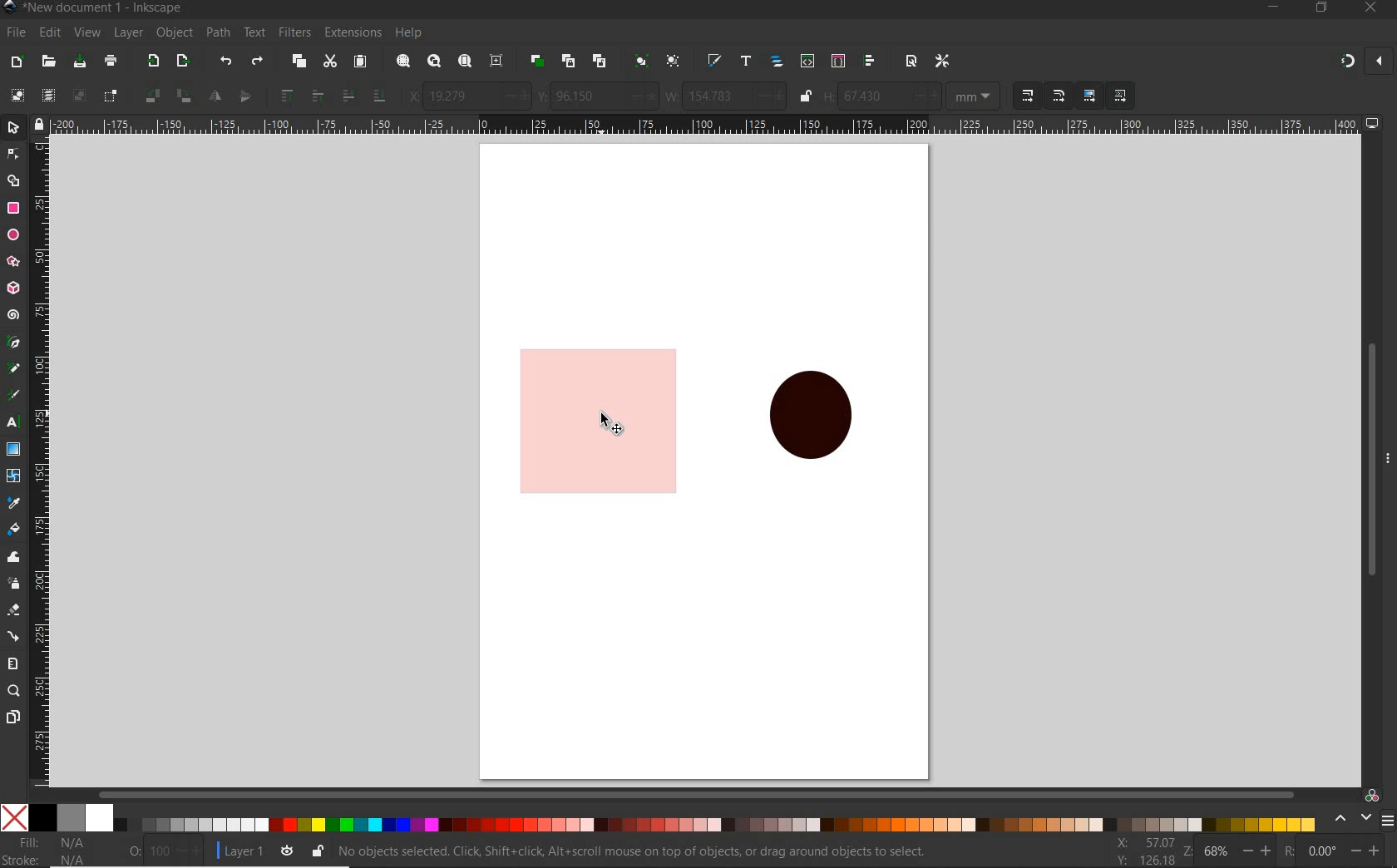 The width and height of the screenshot is (1397, 868). Describe the element at coordinates (158, 851) in the screenshot. I see `OPACITY` at that location.